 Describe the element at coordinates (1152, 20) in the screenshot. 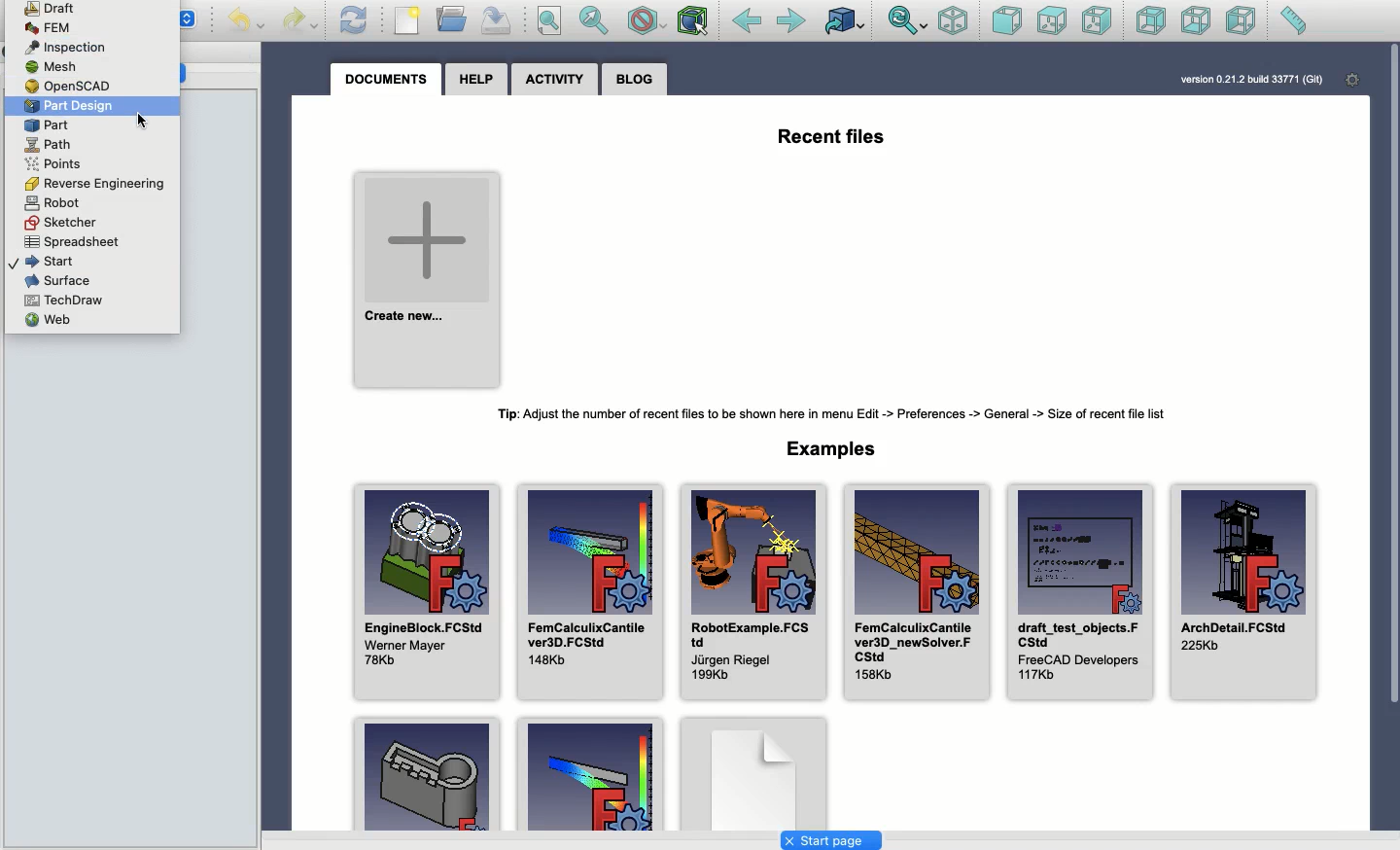

I see `Back` at that location.